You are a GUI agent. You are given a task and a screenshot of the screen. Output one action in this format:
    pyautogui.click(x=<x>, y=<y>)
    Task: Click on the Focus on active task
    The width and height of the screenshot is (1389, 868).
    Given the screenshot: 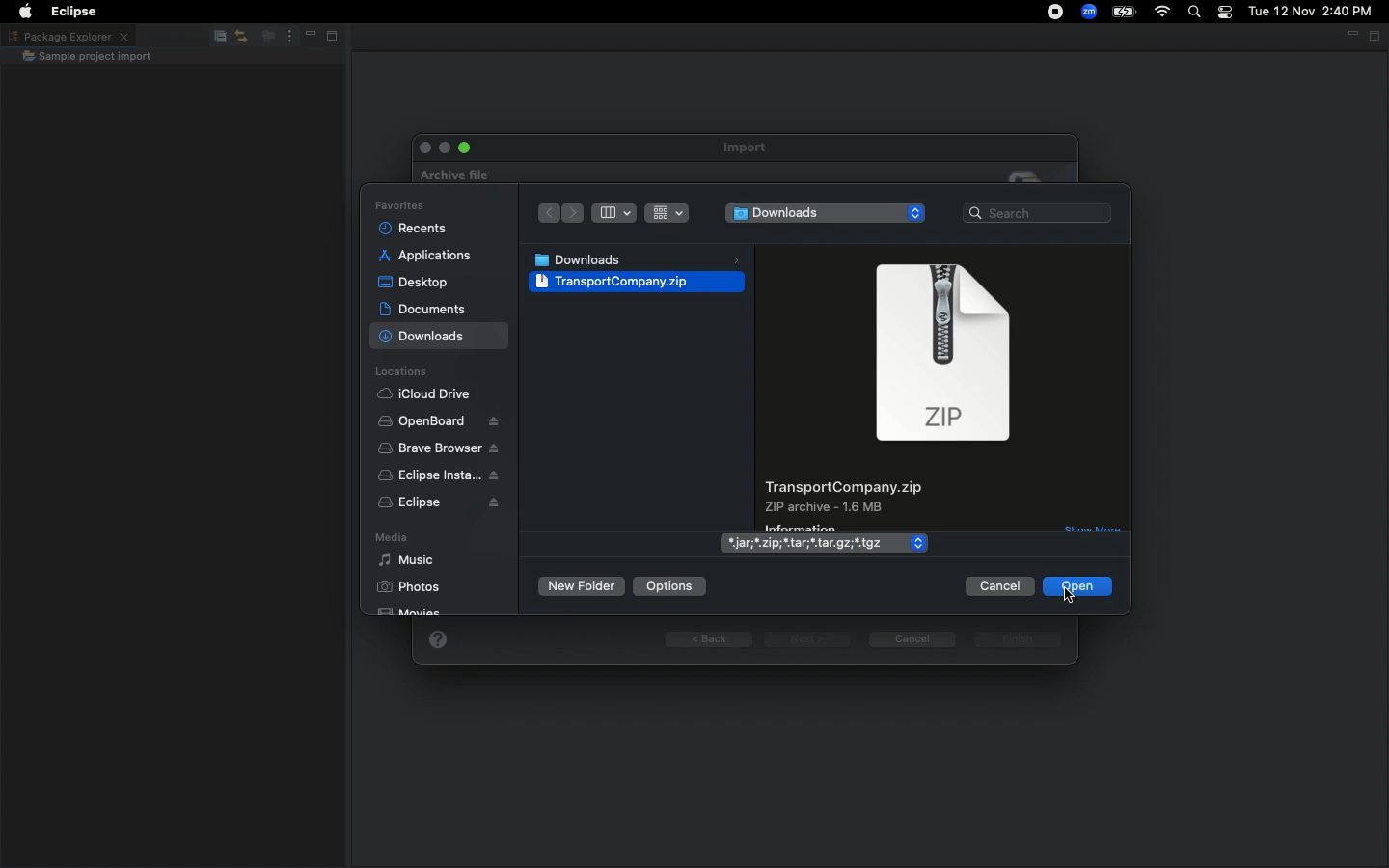 What is the action you would take?
    pyautogui.click(x=262, y=38)
    